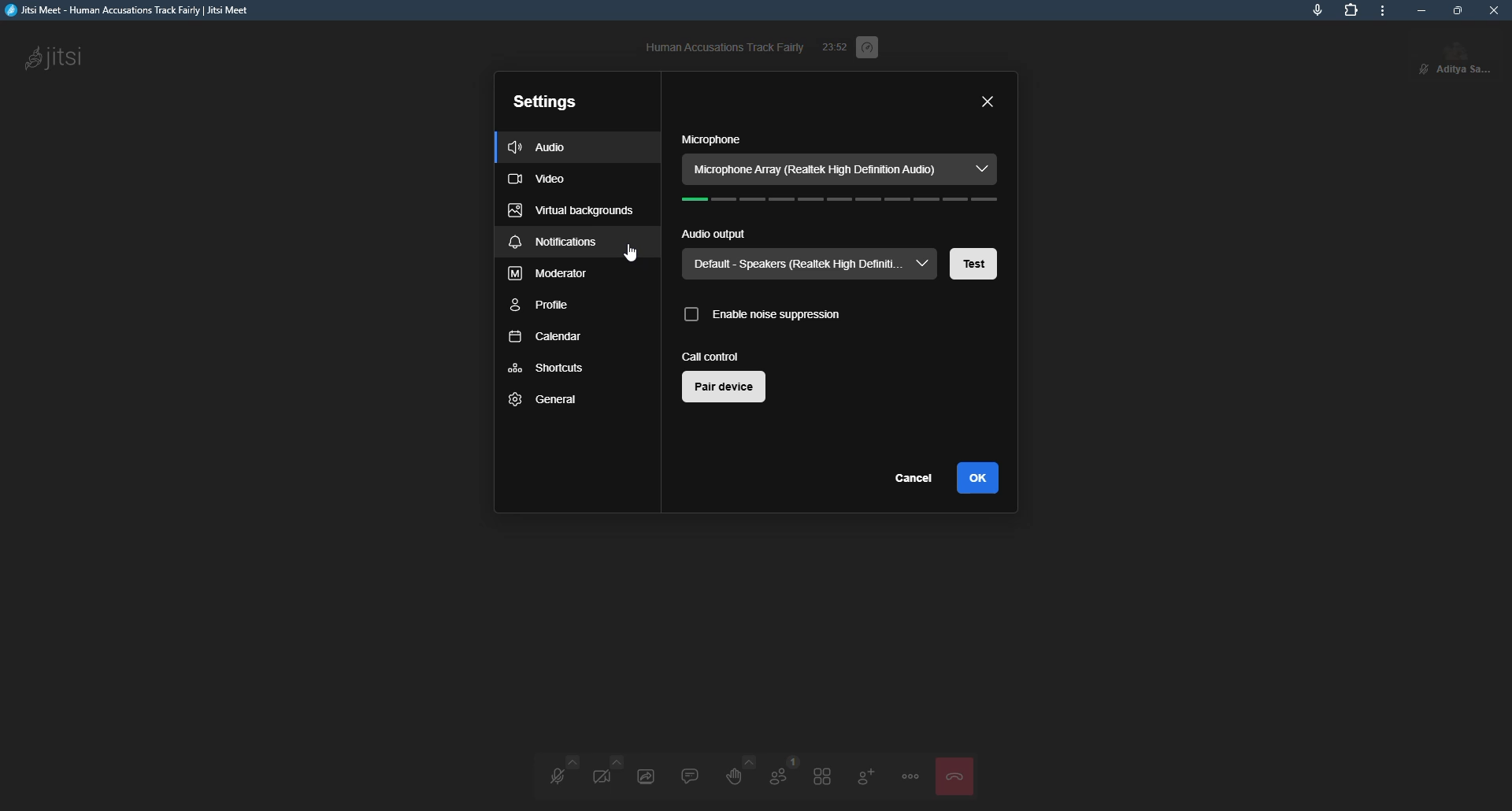  Describe the element at coordinates (736, 773) in the screenshot. I see `raise hand` at that location.